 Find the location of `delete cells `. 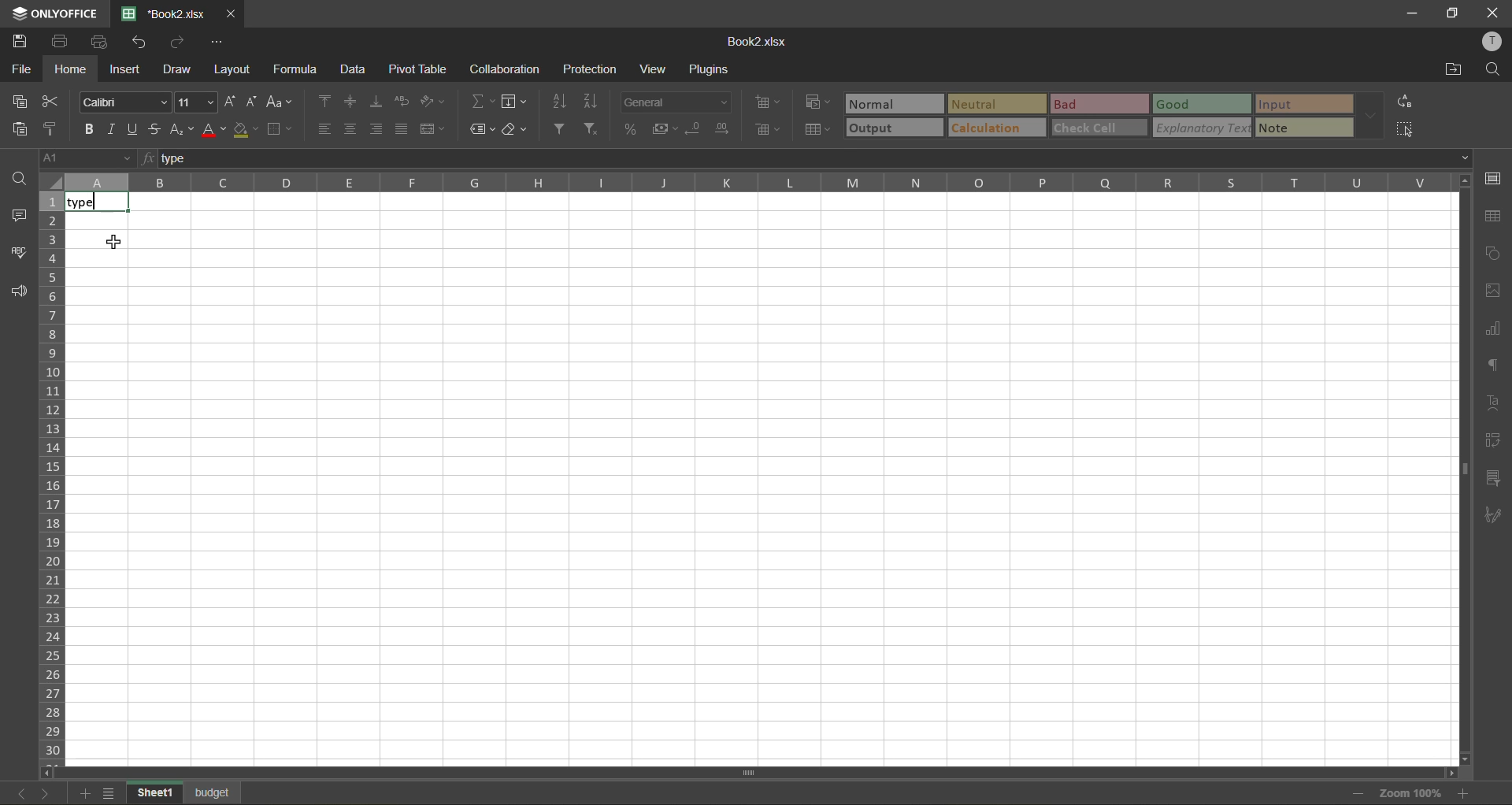

delete cells  is located at coordinates (766, 130).